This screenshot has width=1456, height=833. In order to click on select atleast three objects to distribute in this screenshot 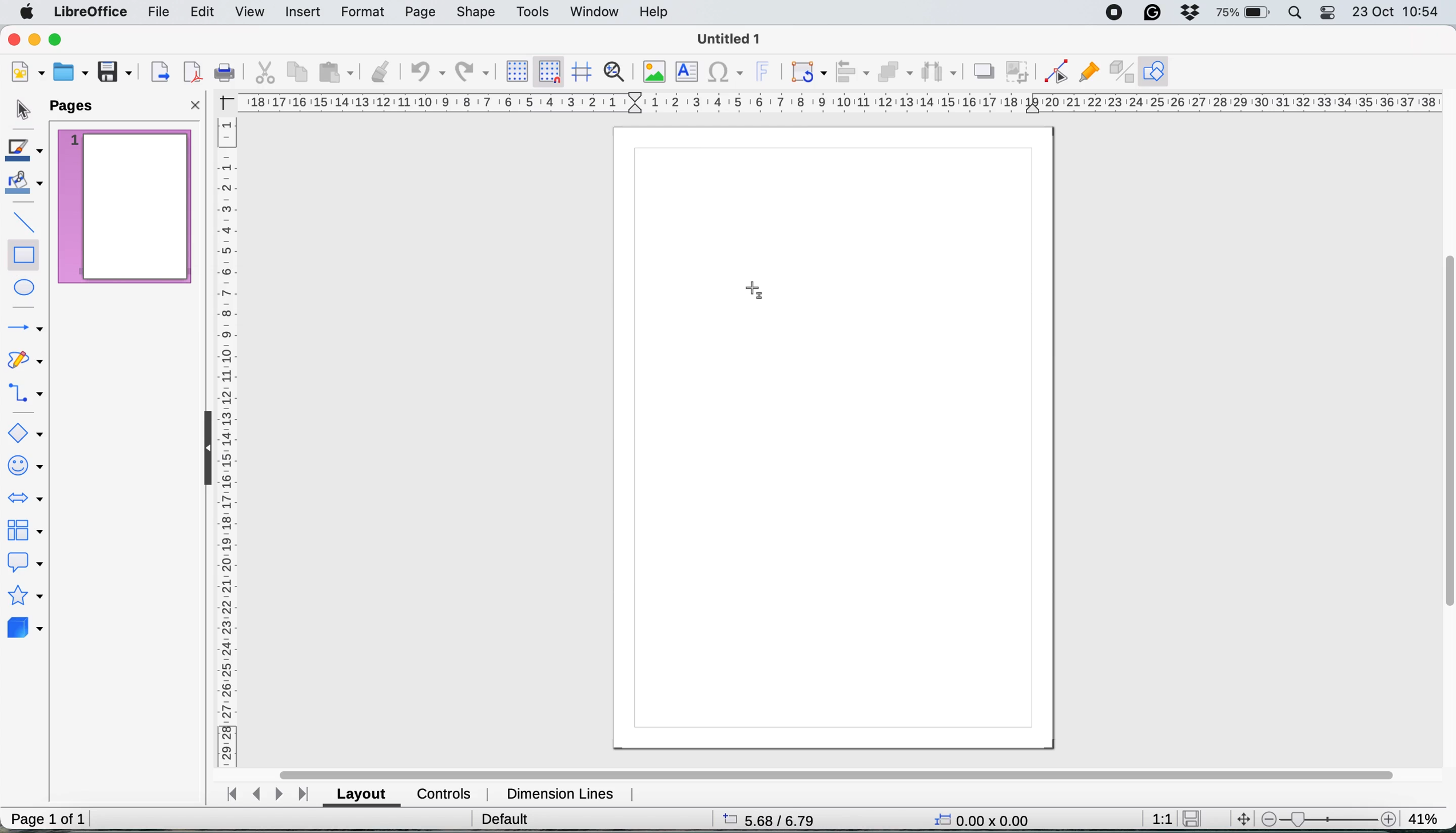, I will do `click(943, 72)`.